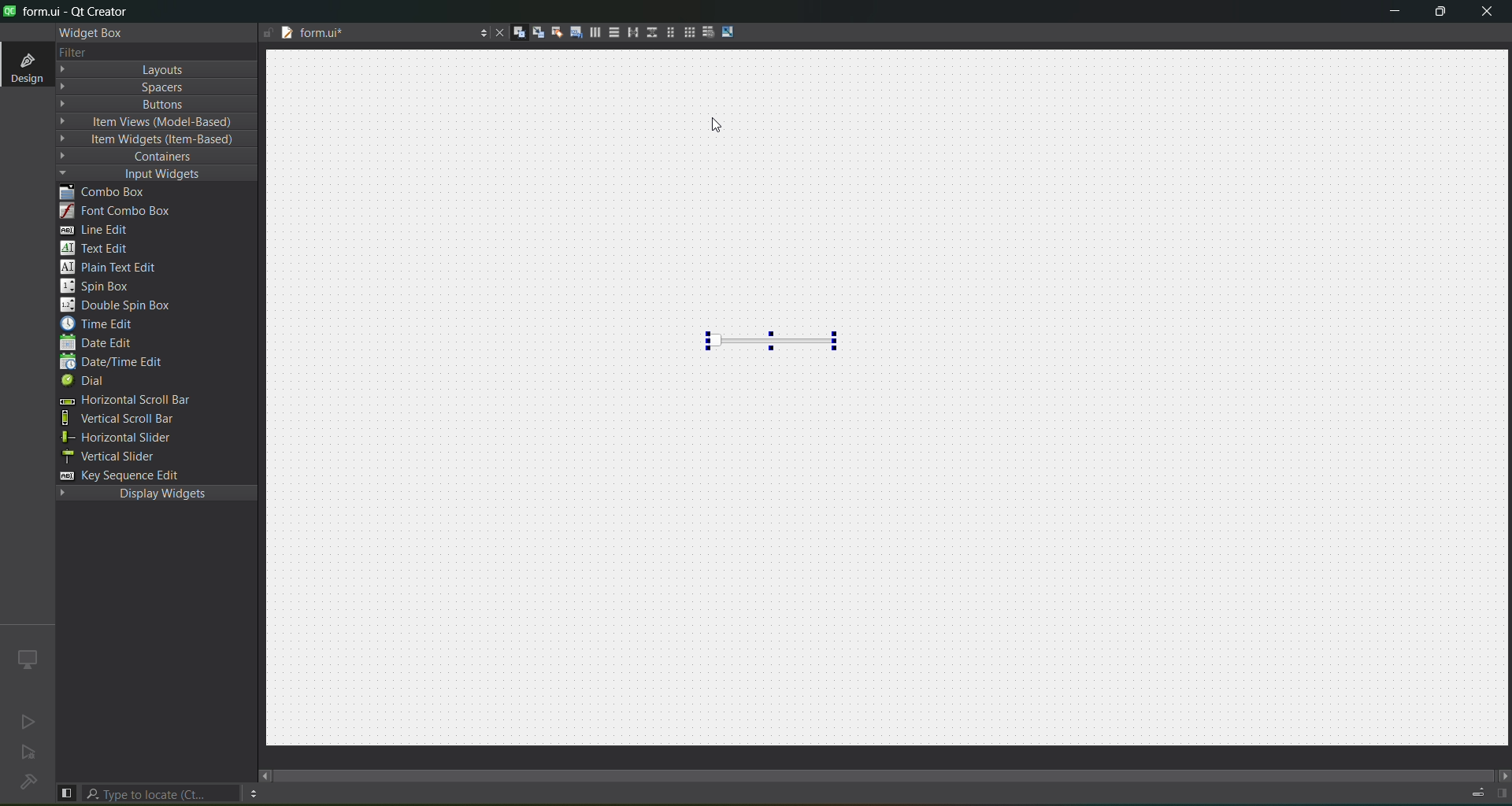 This screenshot has height=806, width=1512. What do you see at coordinates (265, 775) in the screenshot?
I see `move right` at bounding box center [265, 775].